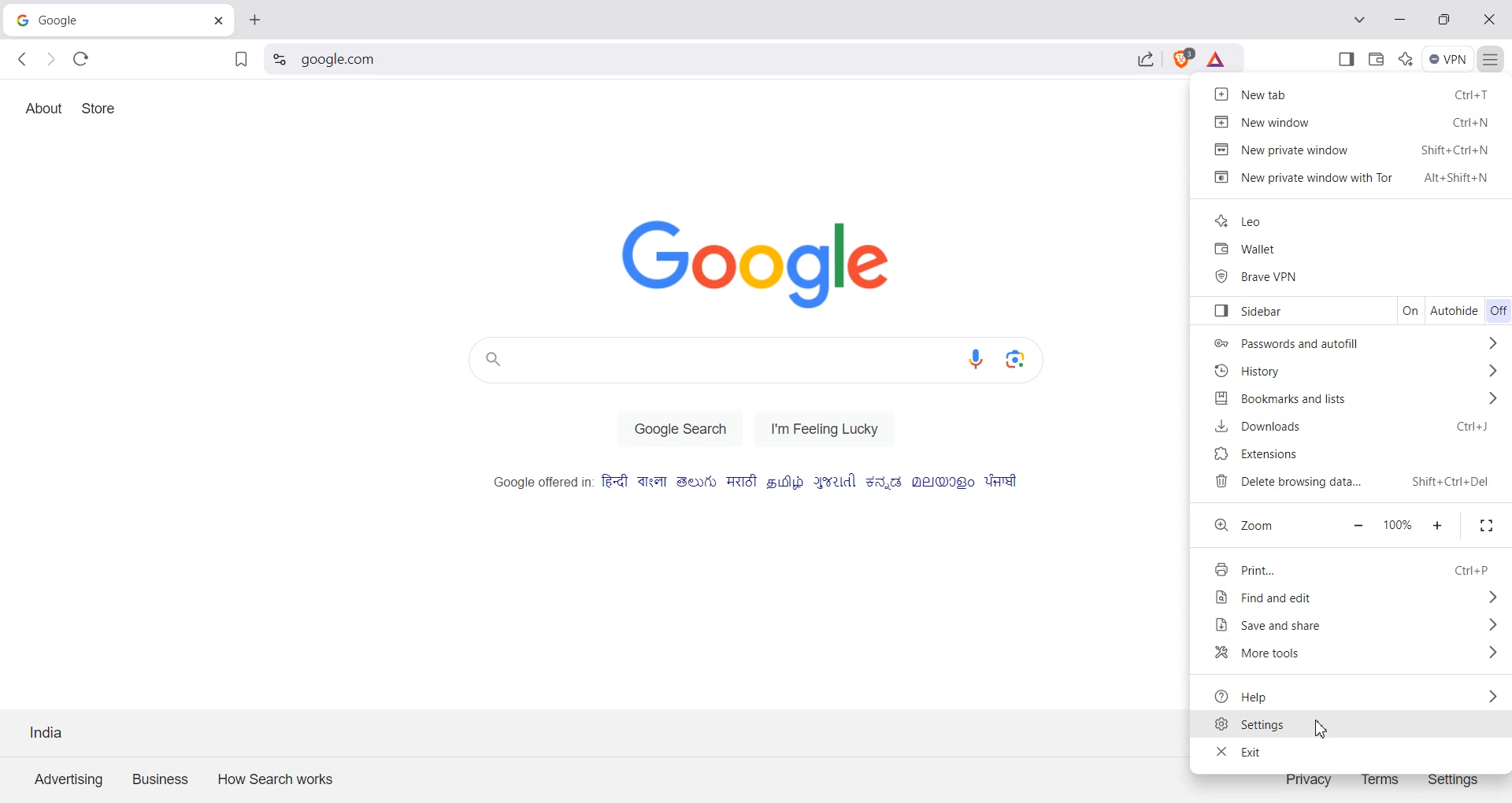  Describe the element at coordinates (1485, 525) in the screenshot. I see `Full screen` at that location.